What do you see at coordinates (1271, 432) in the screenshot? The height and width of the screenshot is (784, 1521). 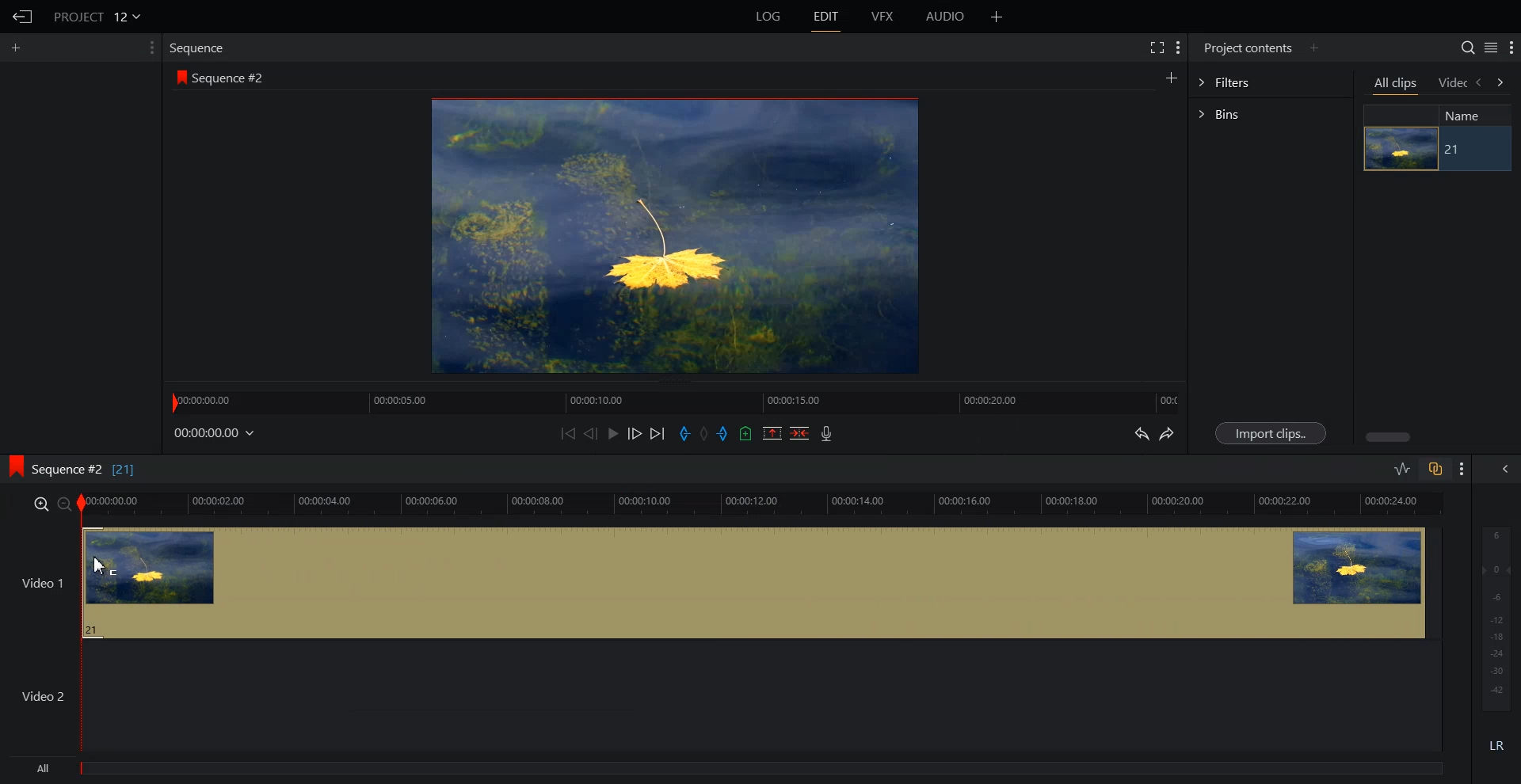 I see `Import Clips` at bounding box center [1271, 432].